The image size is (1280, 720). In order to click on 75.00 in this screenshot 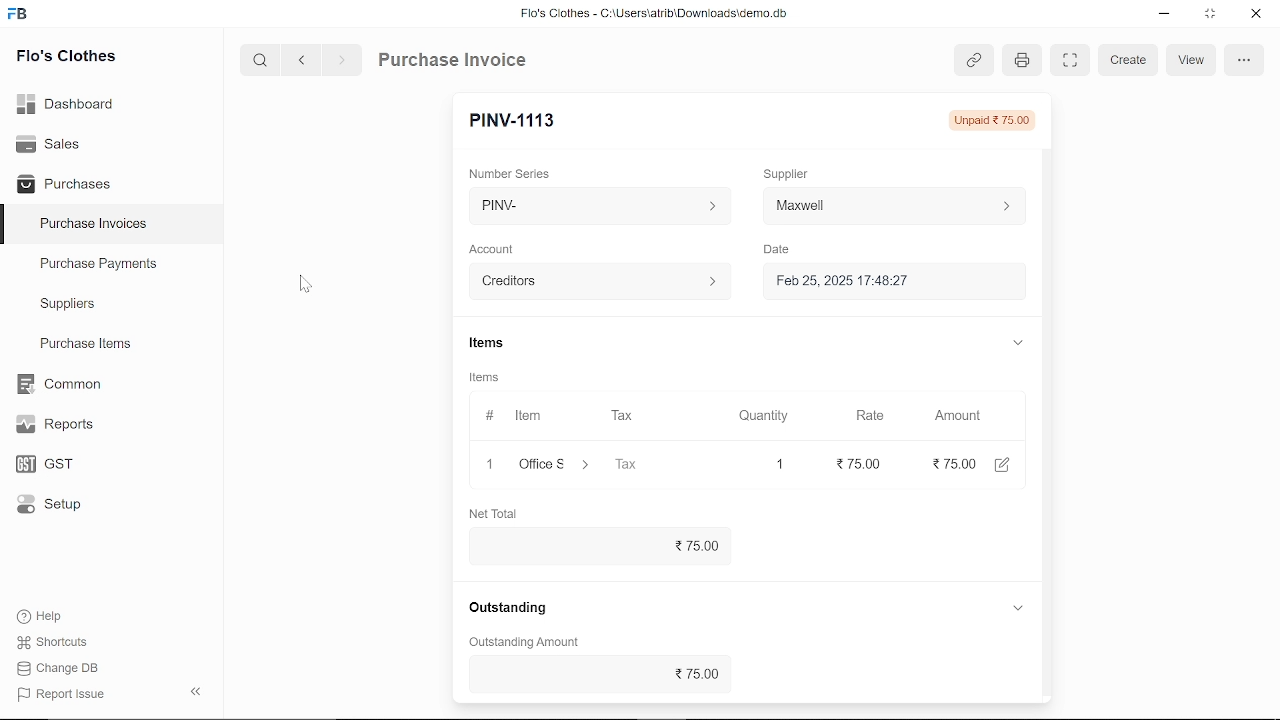, I will do `click(595, 544)`.